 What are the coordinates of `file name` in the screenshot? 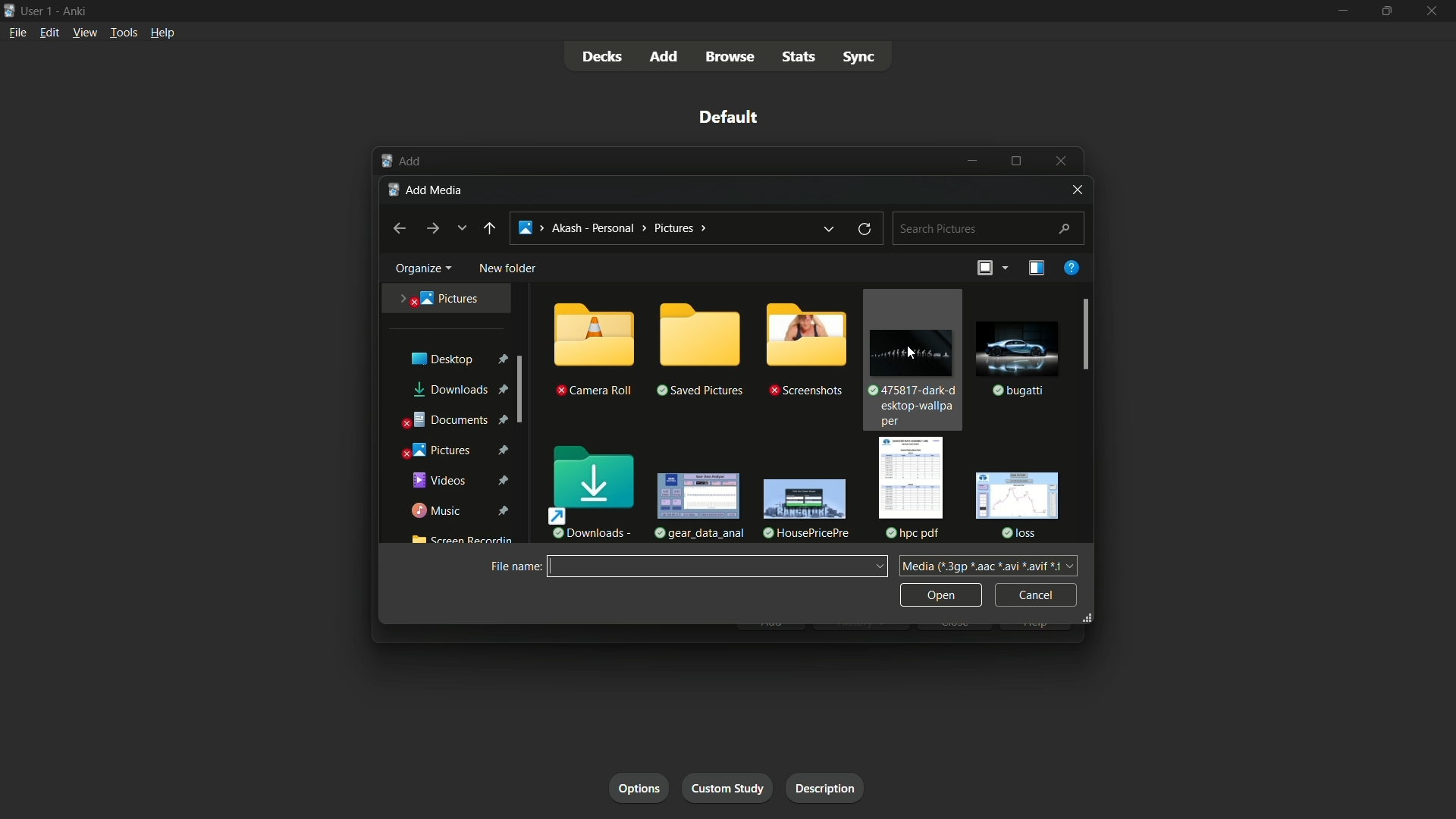 It's located at (512, 566).